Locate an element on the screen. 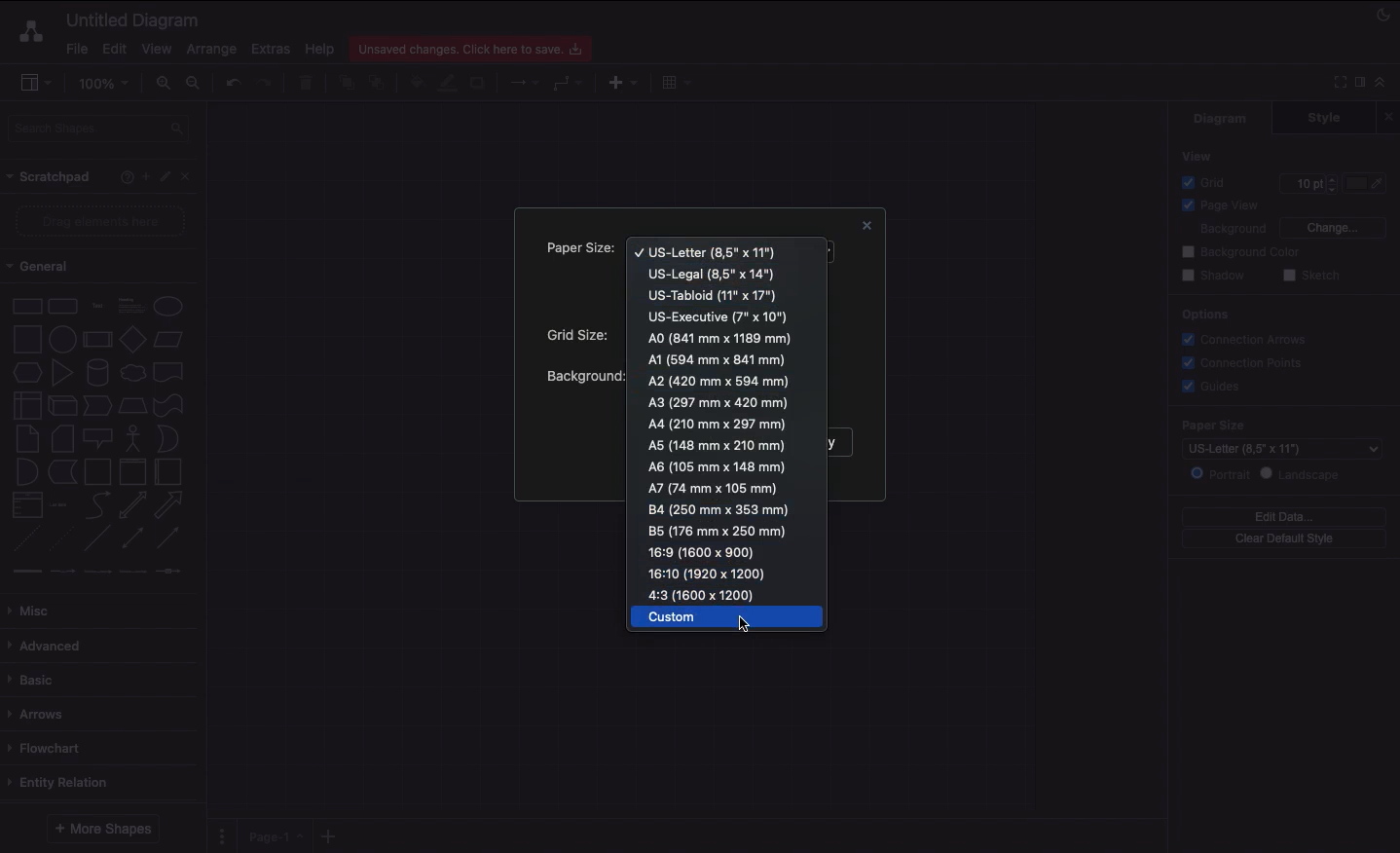  100% is located at coordinates (106, 84).